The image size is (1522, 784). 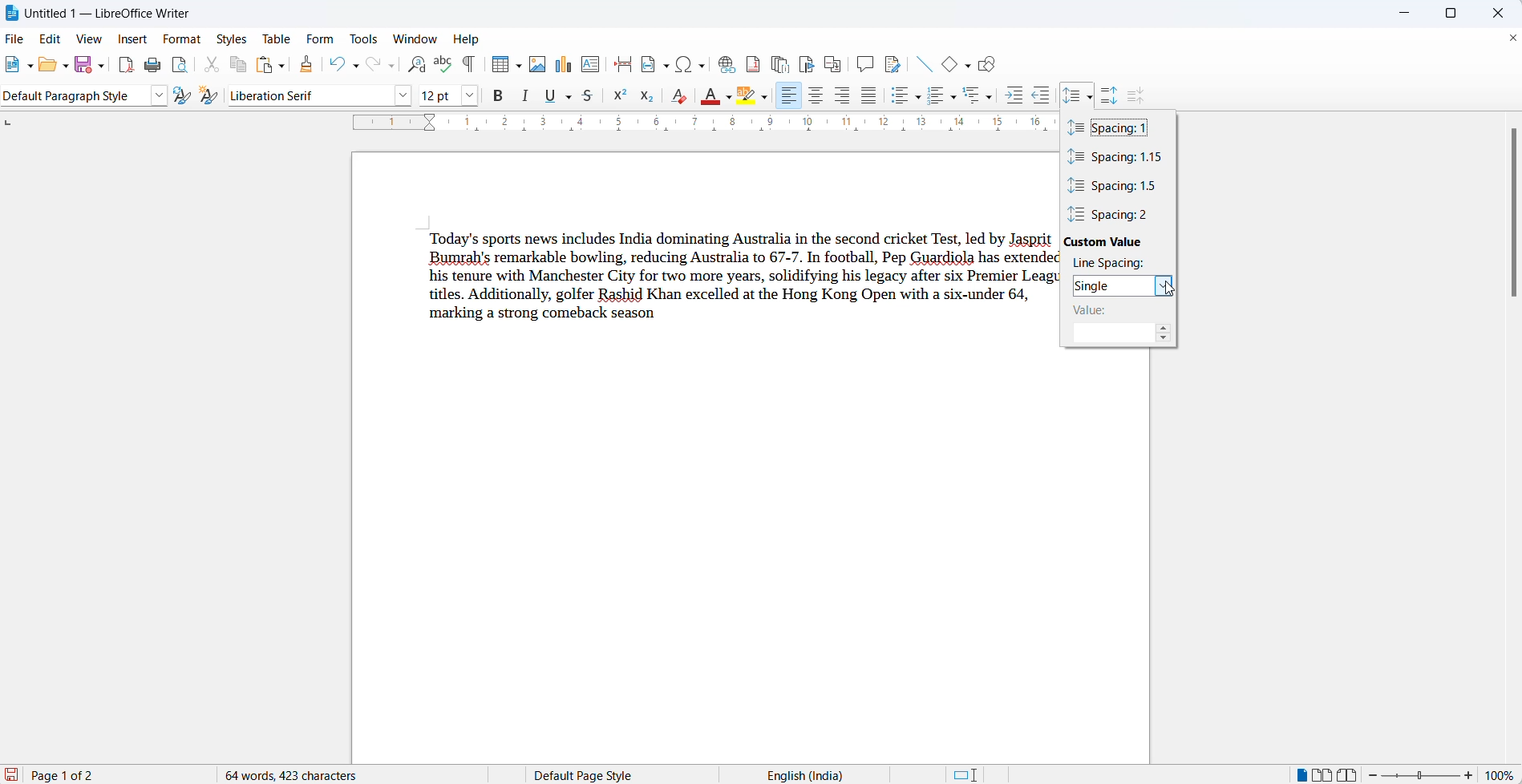 What do you see at coordinates (864, 63) in the screenshot?
I see `insert comments` at bounding box center [864, 63].